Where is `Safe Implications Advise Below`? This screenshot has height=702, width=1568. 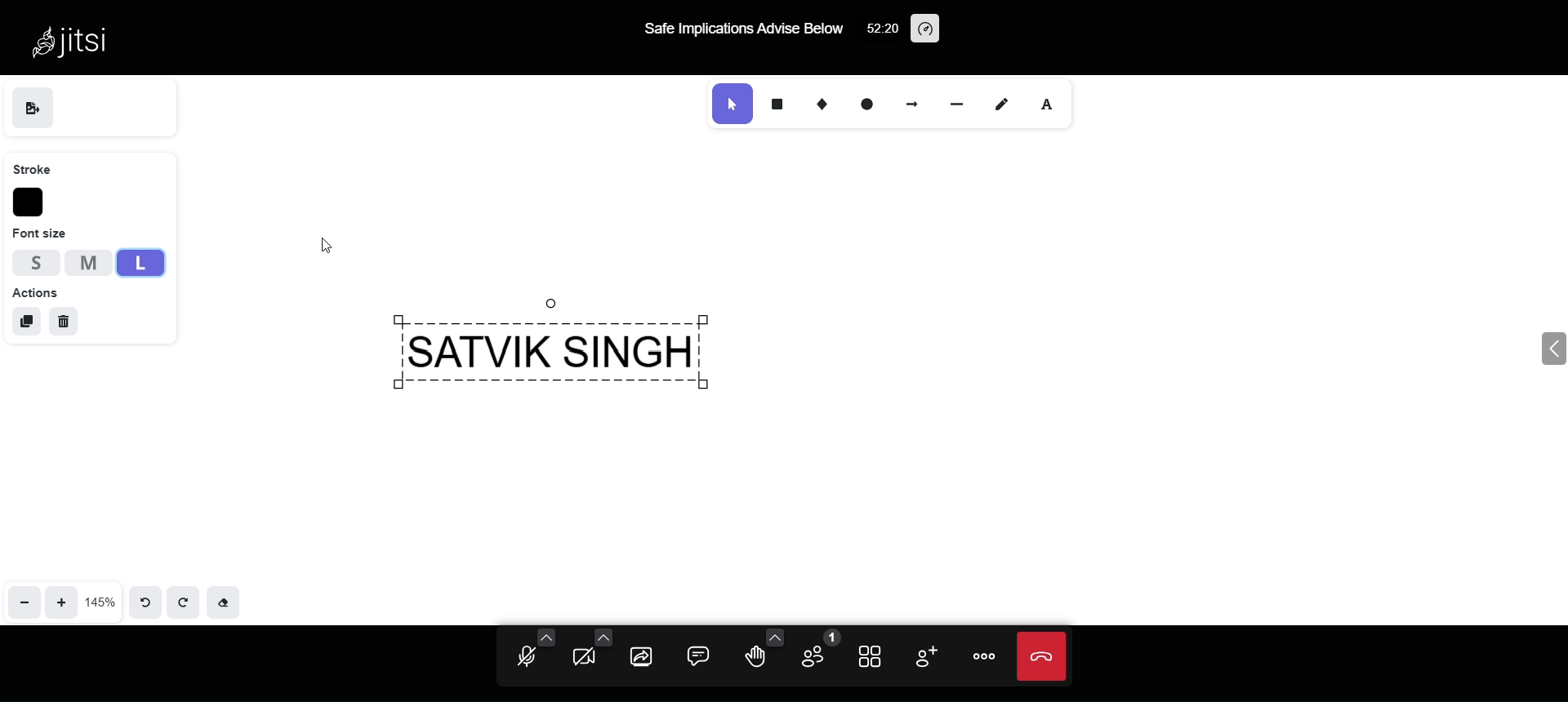
Safe Implications Advise Below is located at coordinates (745, 30).